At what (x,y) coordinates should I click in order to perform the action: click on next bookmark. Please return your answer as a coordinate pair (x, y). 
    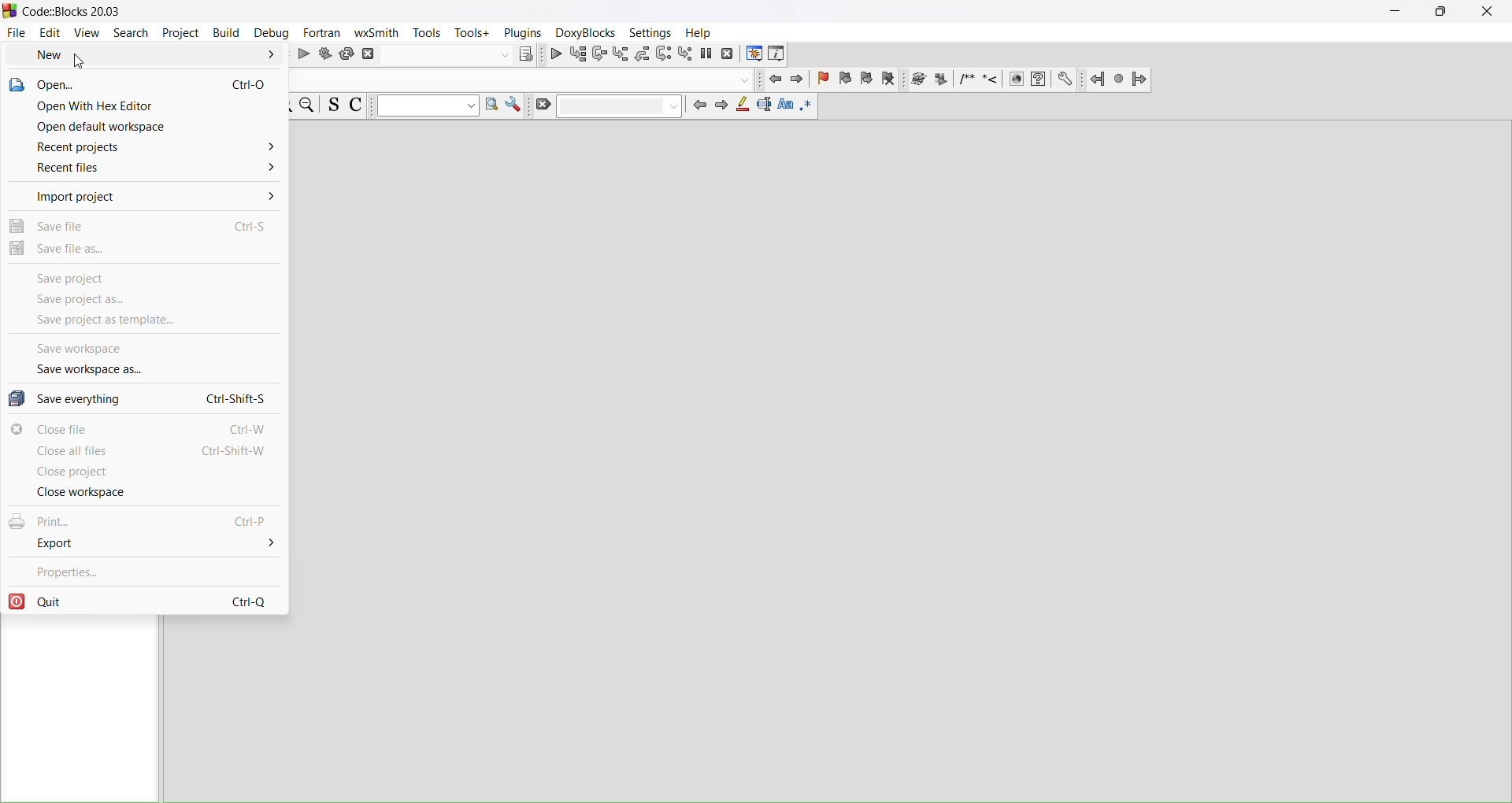
    Looking at the image, I should click on (867, 78).